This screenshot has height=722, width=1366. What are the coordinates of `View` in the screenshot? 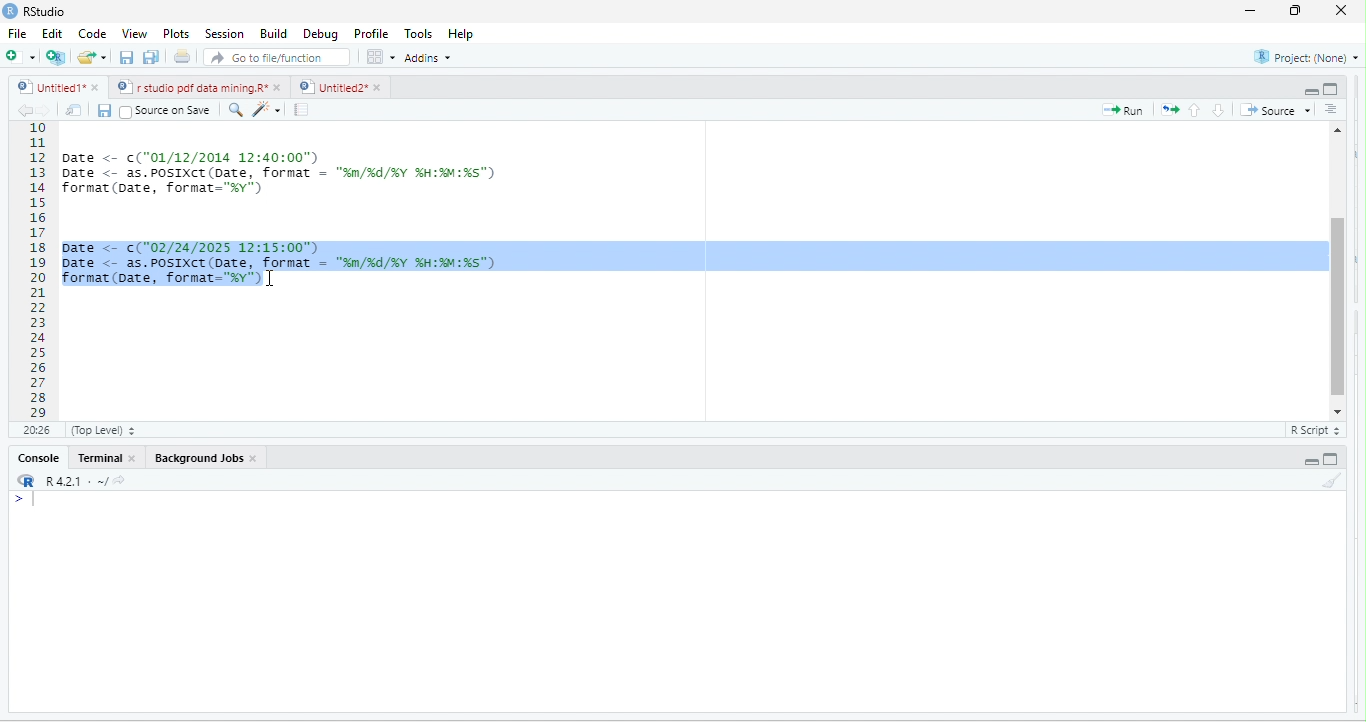 It's located at (134, 33).